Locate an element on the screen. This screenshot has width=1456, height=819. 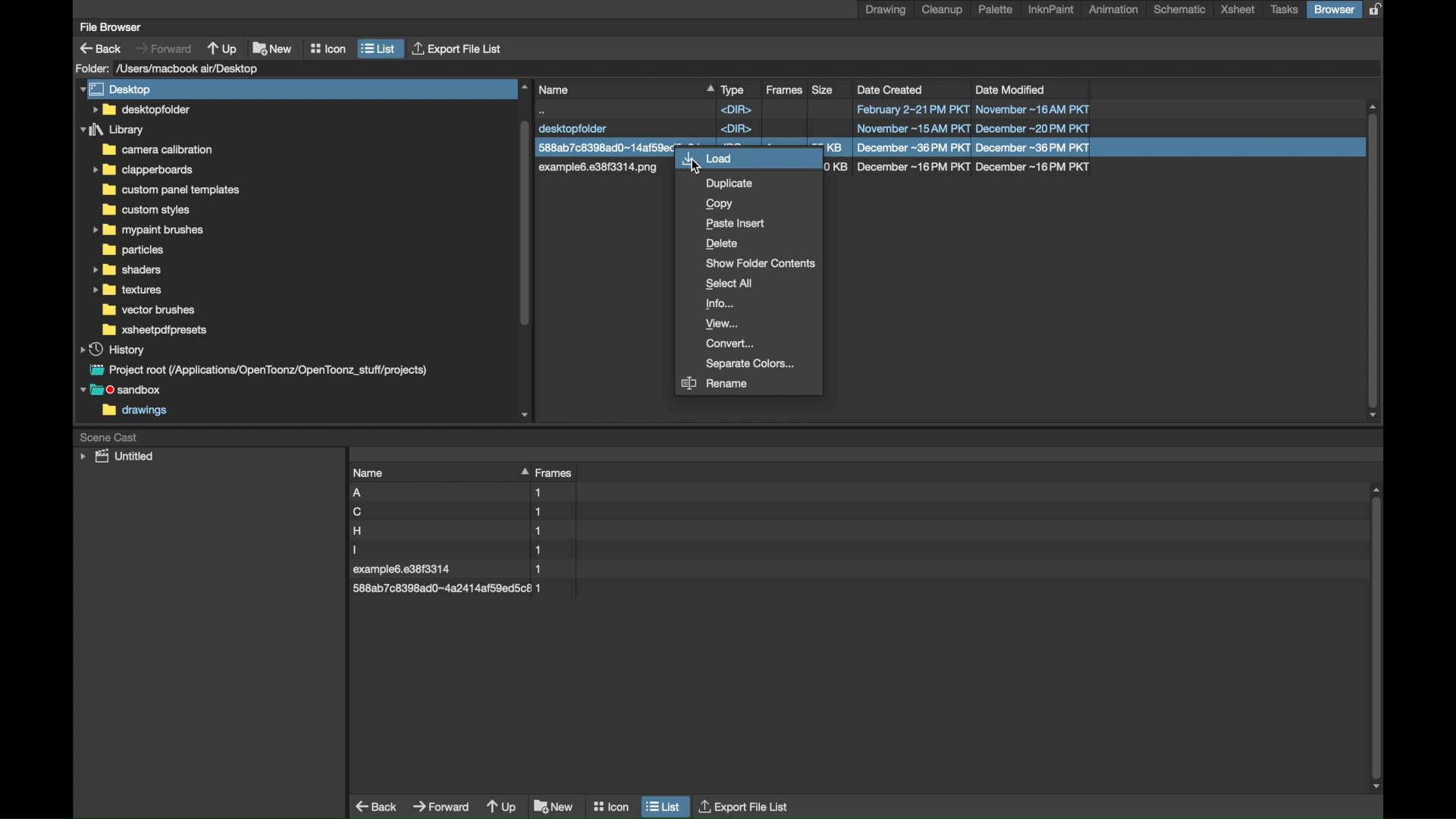
scroll box is located at coordinates (1379, 639).